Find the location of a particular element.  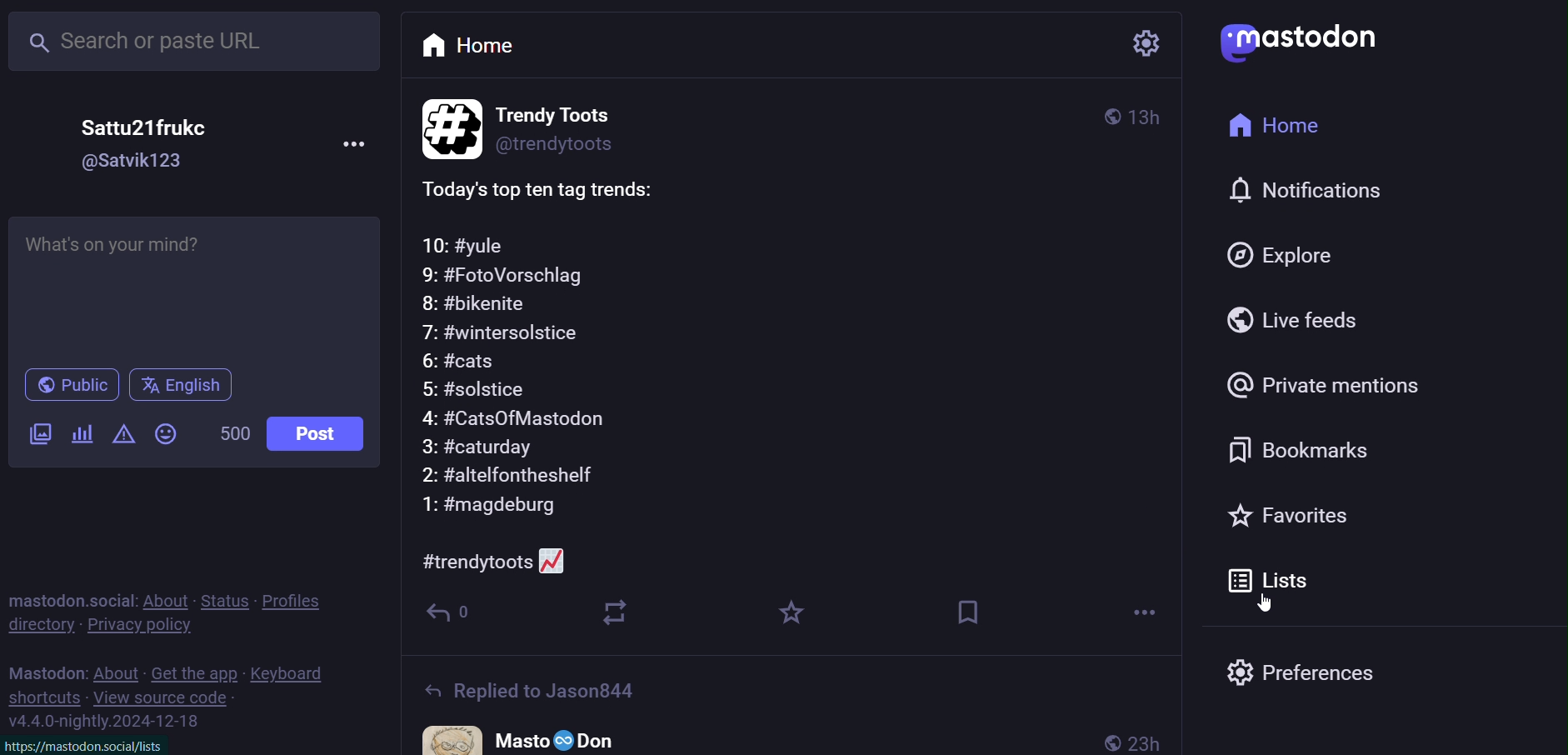

boost is located at coordinates (616, 614).